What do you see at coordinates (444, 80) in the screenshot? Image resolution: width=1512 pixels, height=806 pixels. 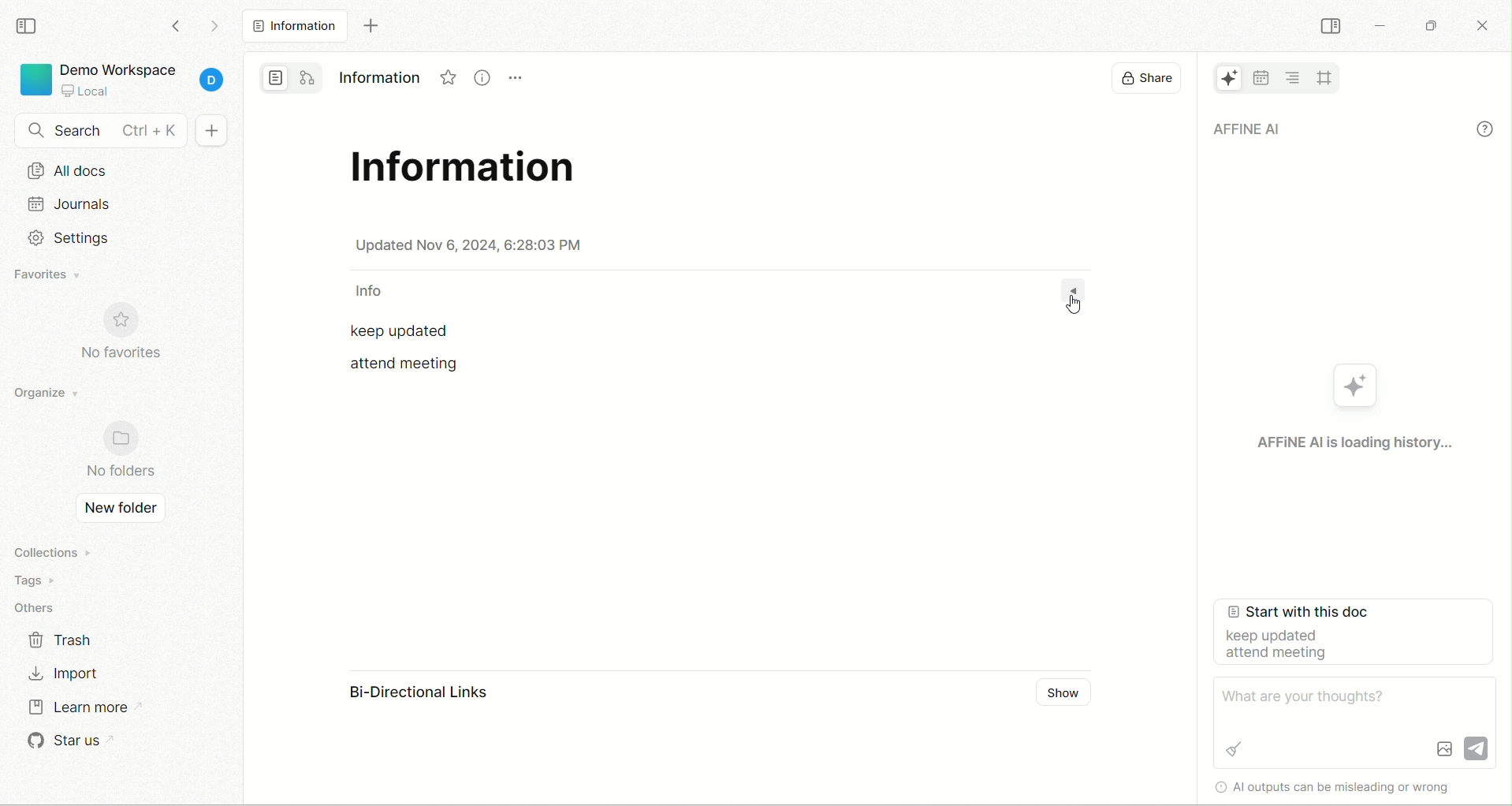 I see `Favorites` at bounding box center [444, 80].